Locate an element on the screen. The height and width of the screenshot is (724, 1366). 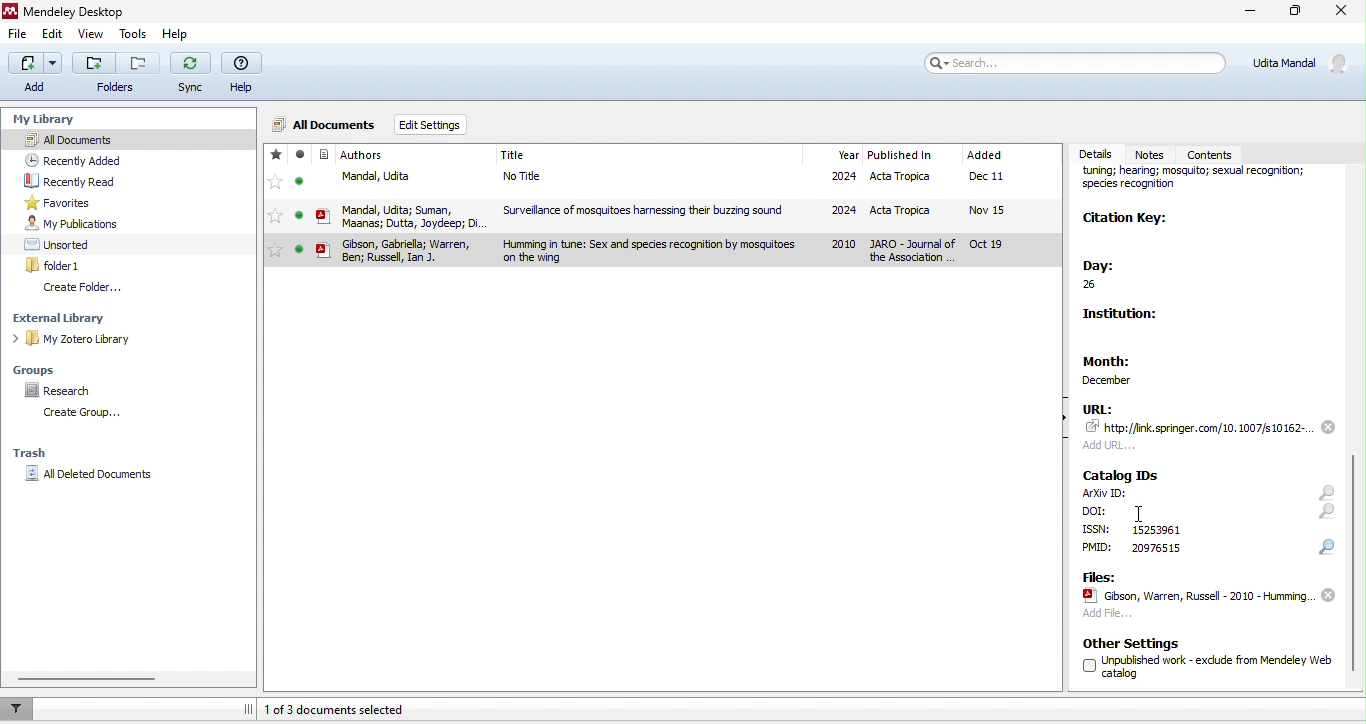
checkbox is located at coordinates (1088, 666).